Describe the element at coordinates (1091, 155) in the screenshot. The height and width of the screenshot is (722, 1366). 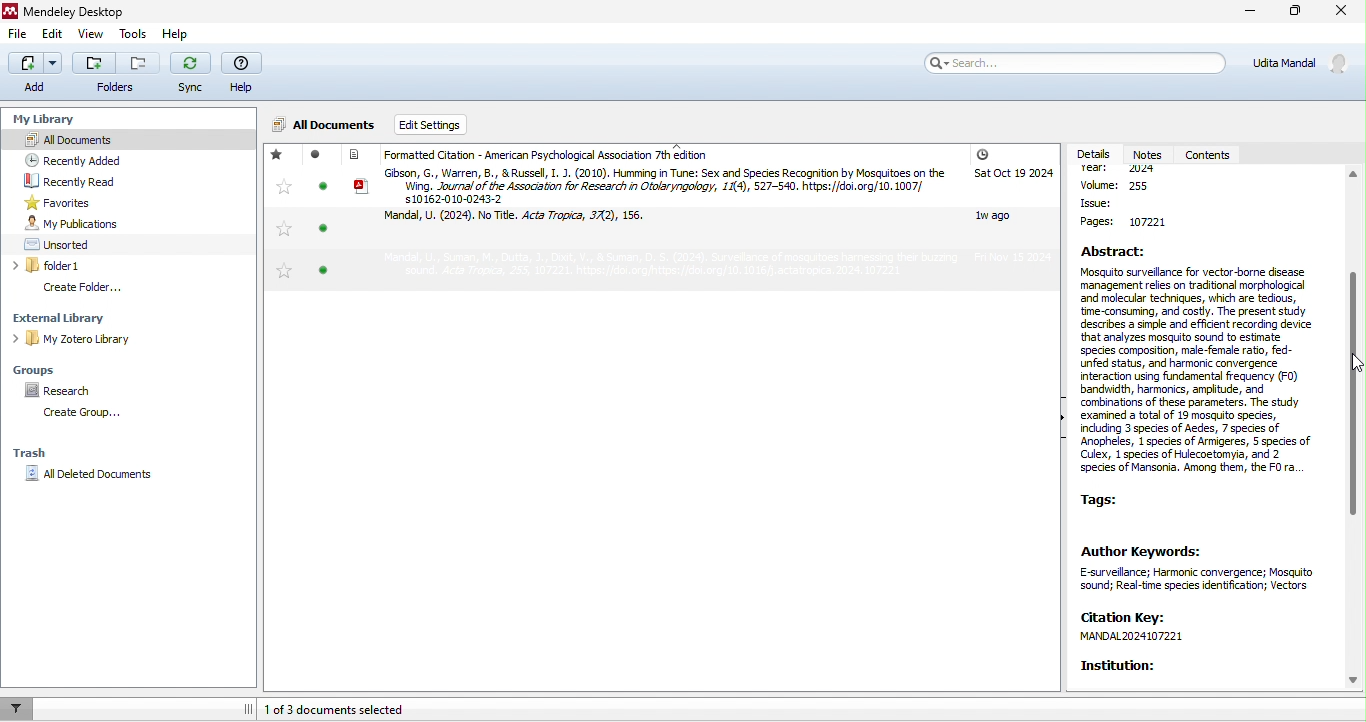
I see `details` at that location.